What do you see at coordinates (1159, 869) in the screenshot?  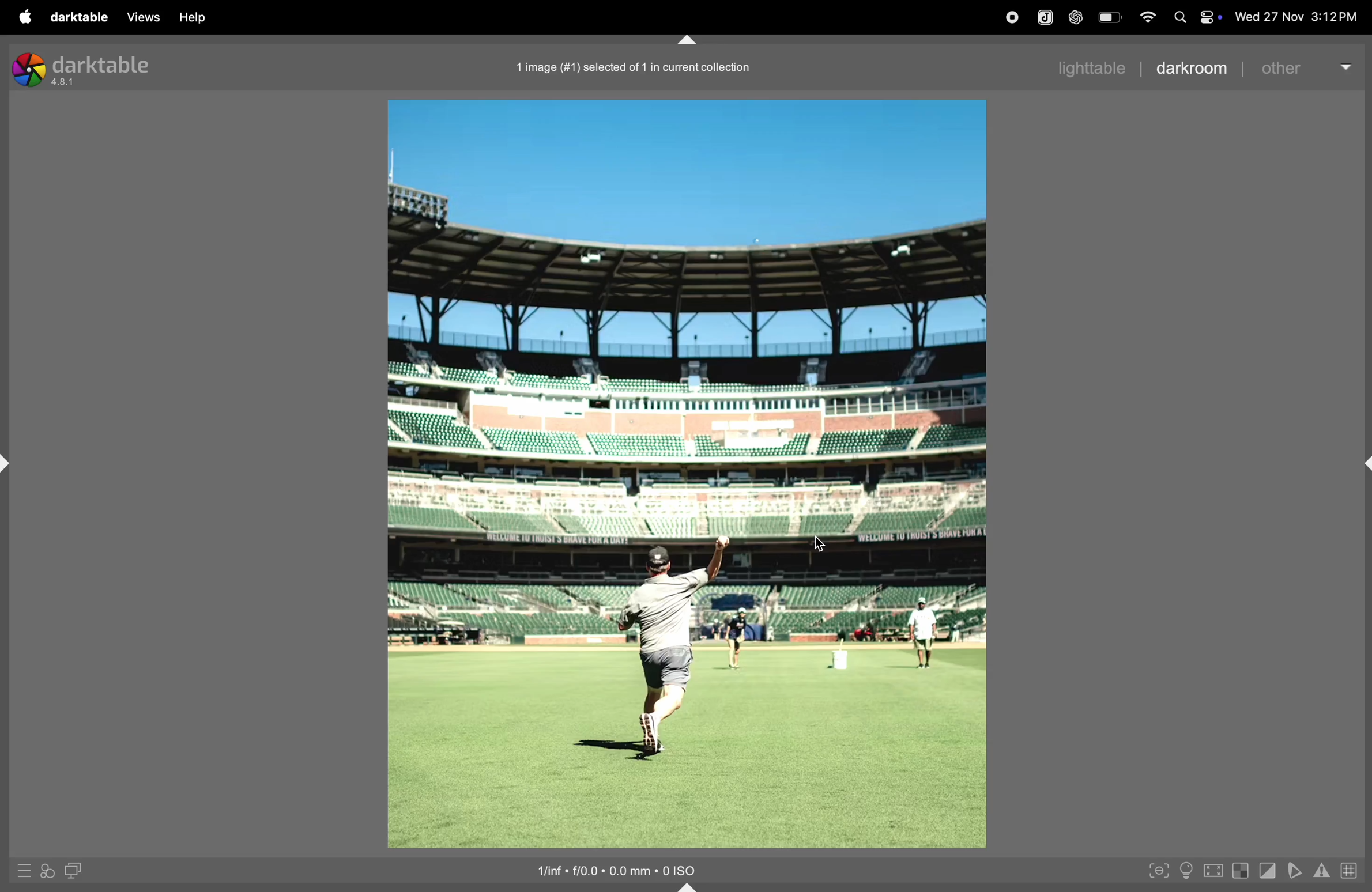 I see `toggle focus peaking mode` at bounding box center [1159, 869].